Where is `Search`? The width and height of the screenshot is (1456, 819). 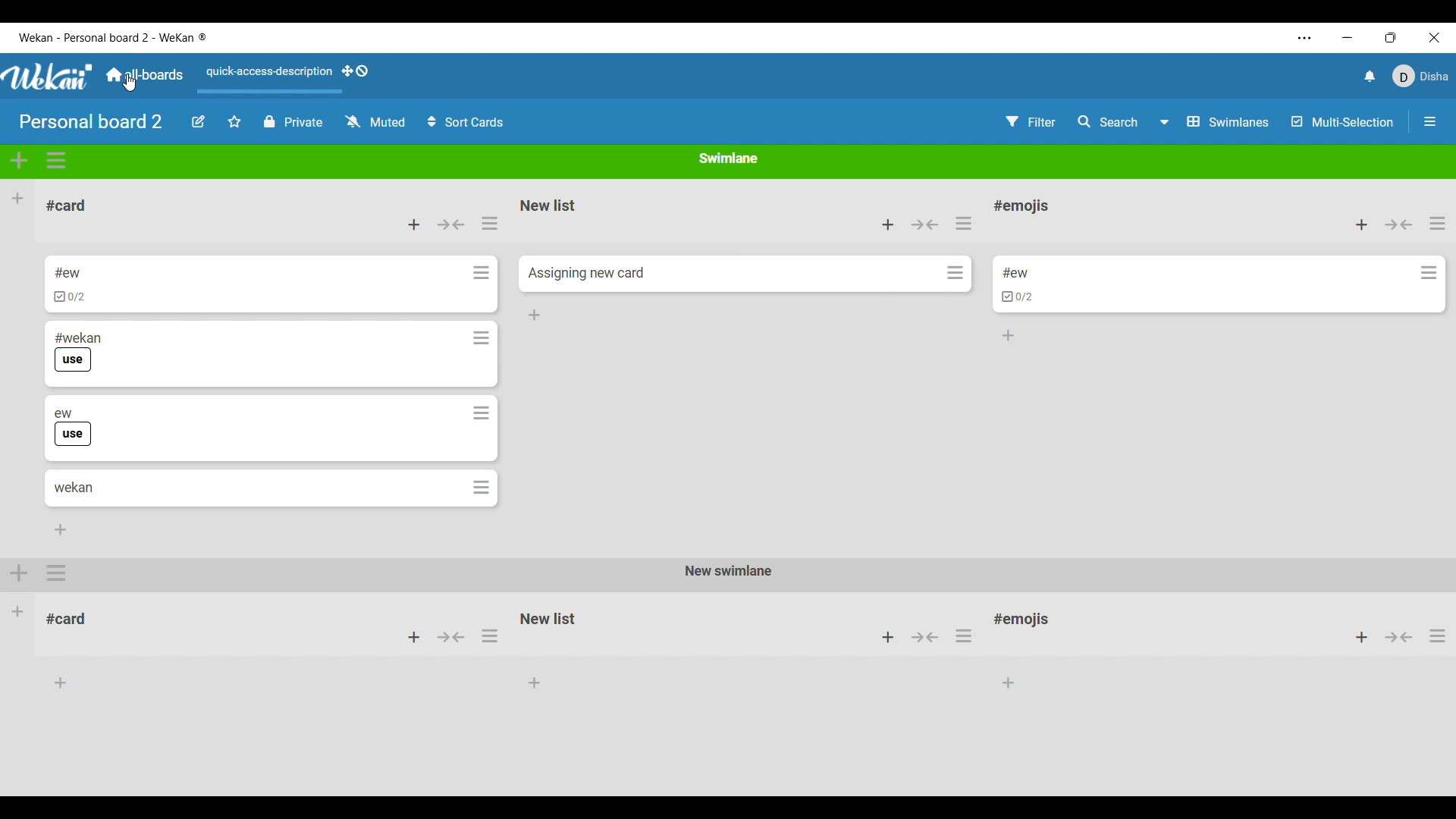 Search is located at coordinates (1107, 121).